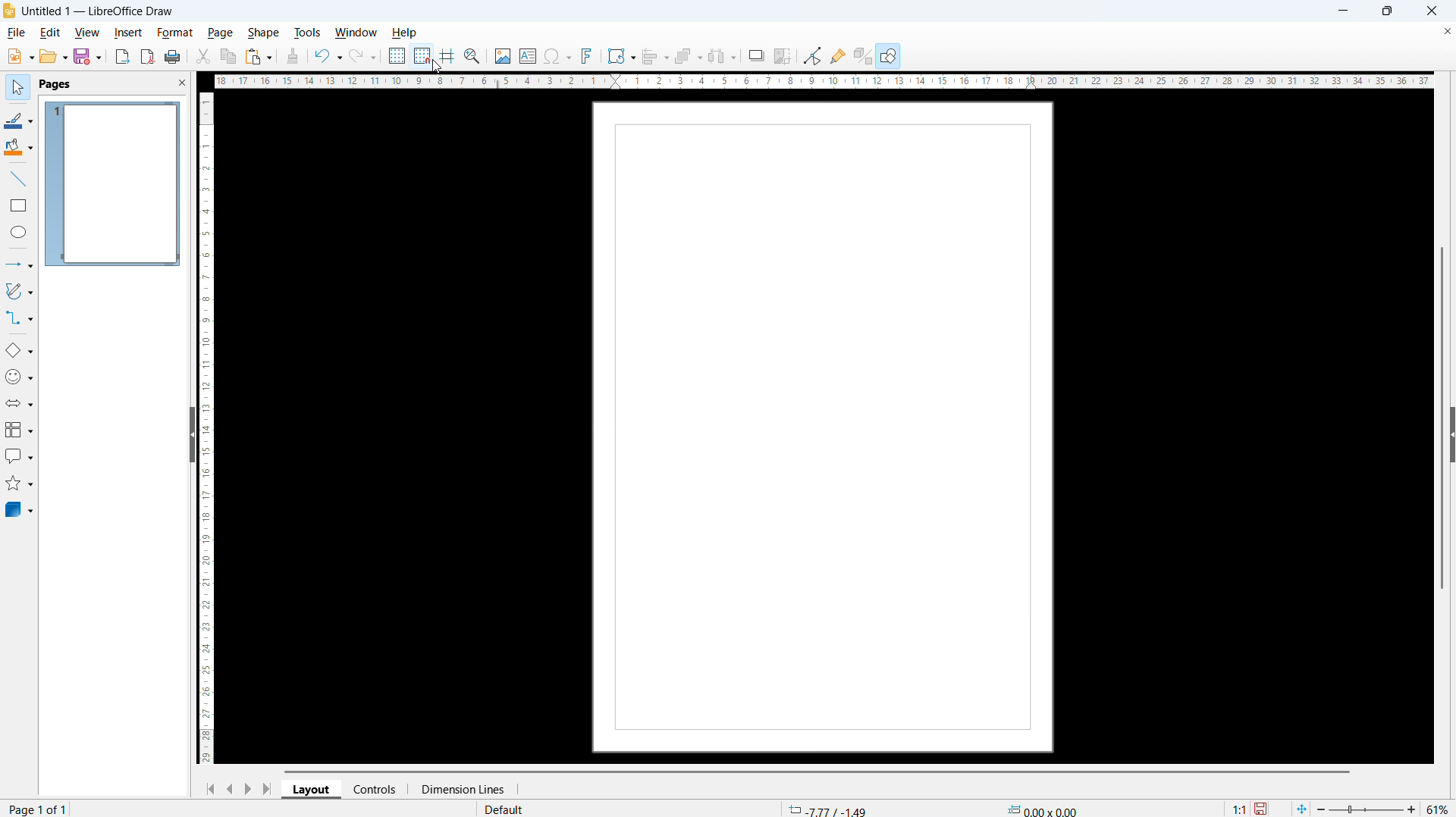 The width and height of the screenshot is (1456, 817). What do you see at coordinates (464, 790) in the screenshot?
I see `dimensiopn lines` at bounding box center [464, 790].